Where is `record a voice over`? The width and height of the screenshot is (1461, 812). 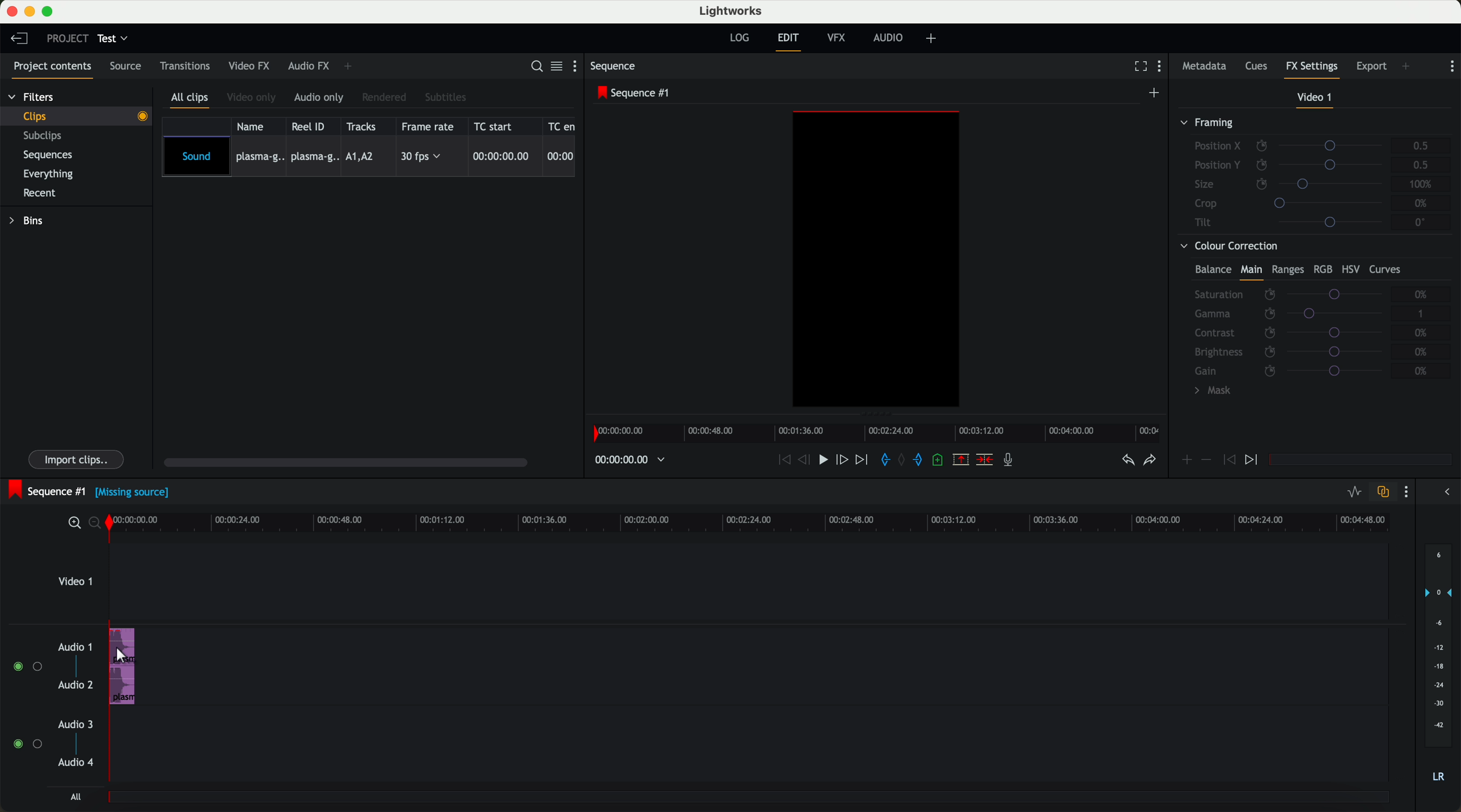
record a voice over is located at coordinates (1011, 462).